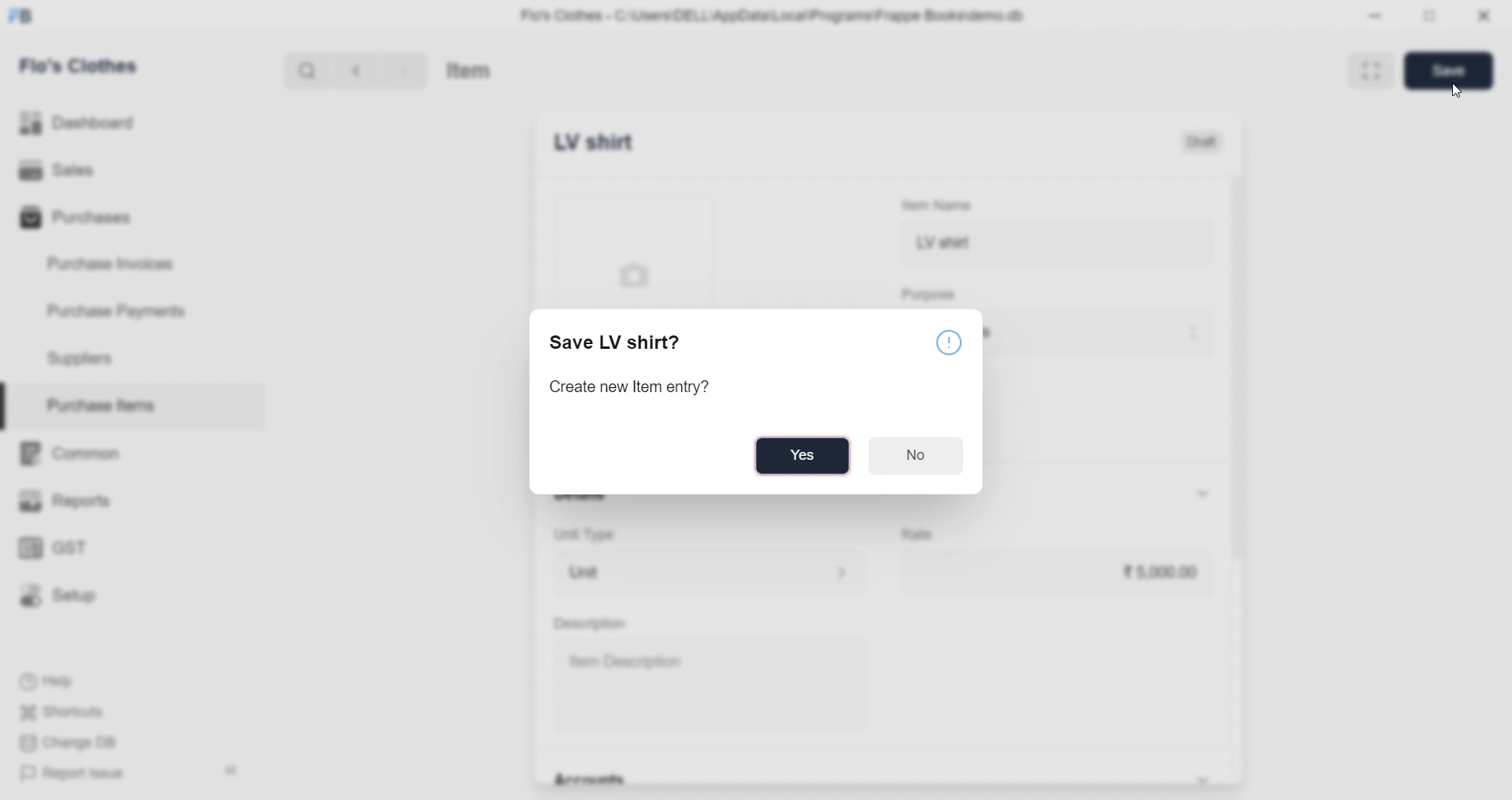 The width and height of the screenshot is (1512, 800). I want to click on cursor, so click(1458, 91).